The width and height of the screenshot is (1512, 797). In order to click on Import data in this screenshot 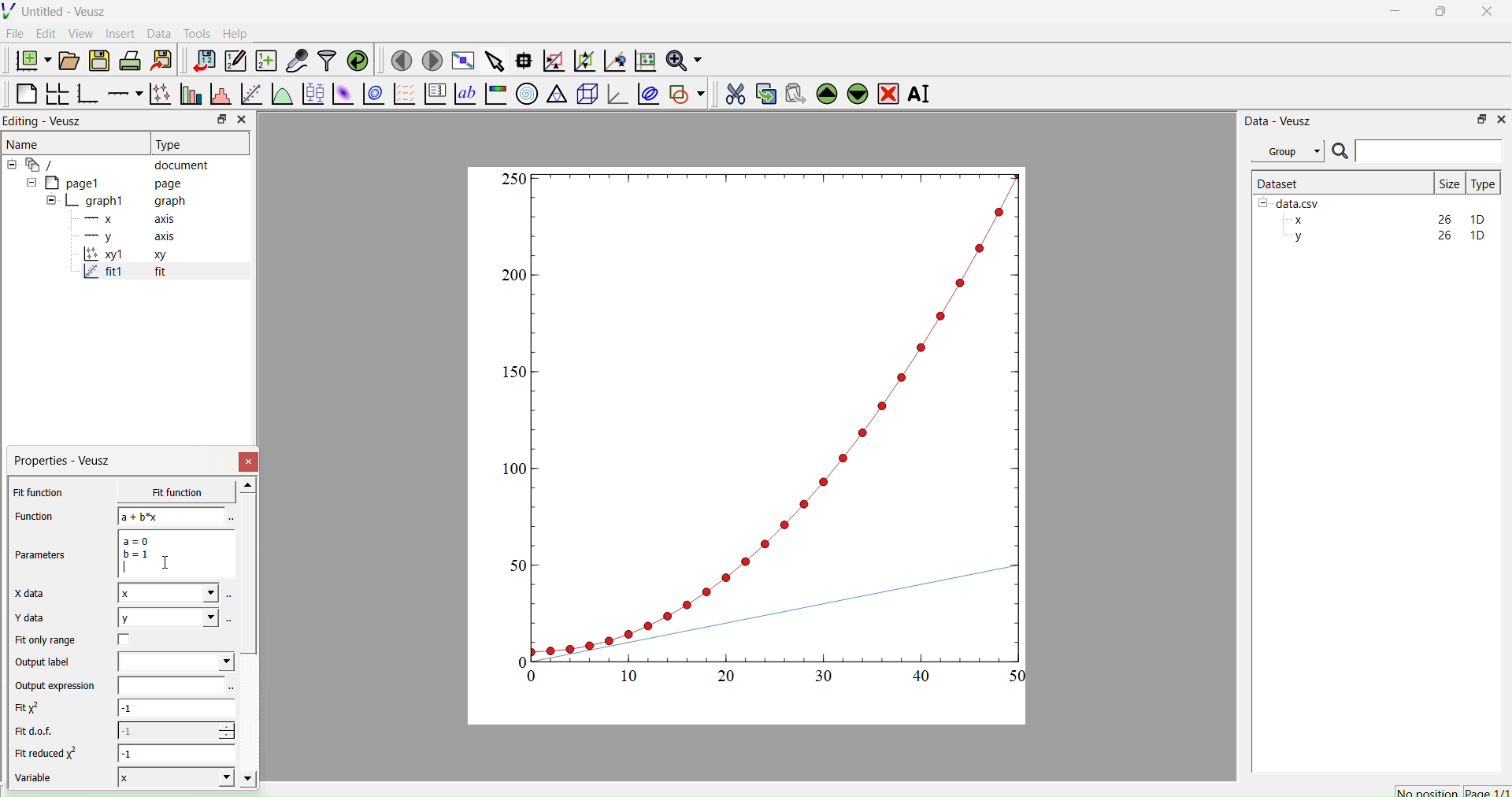, I will do `click(200, 61)`.